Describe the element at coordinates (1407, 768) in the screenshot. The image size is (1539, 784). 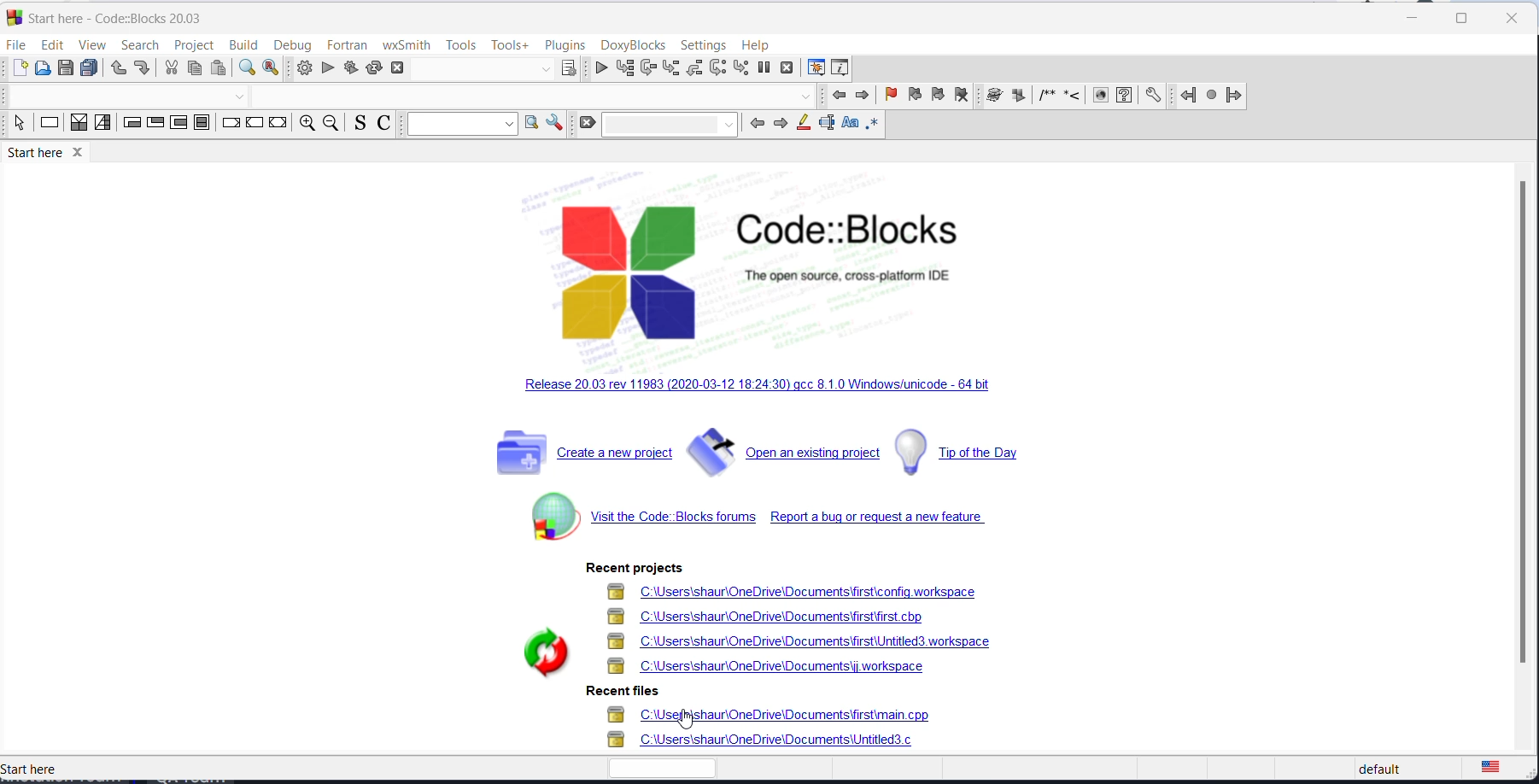
I see `default` at that location.